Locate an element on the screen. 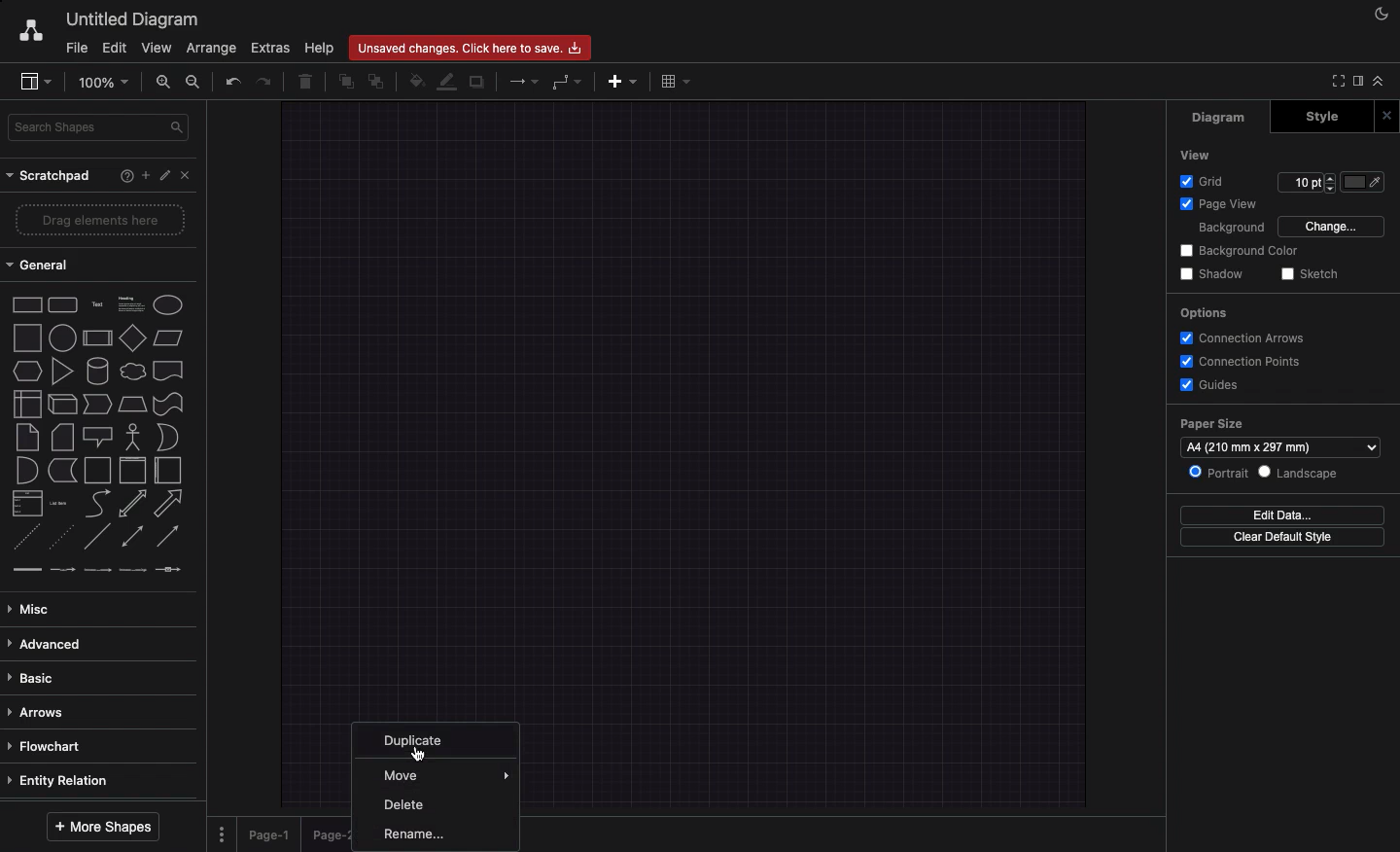  File is located at coordinates (75, 47).